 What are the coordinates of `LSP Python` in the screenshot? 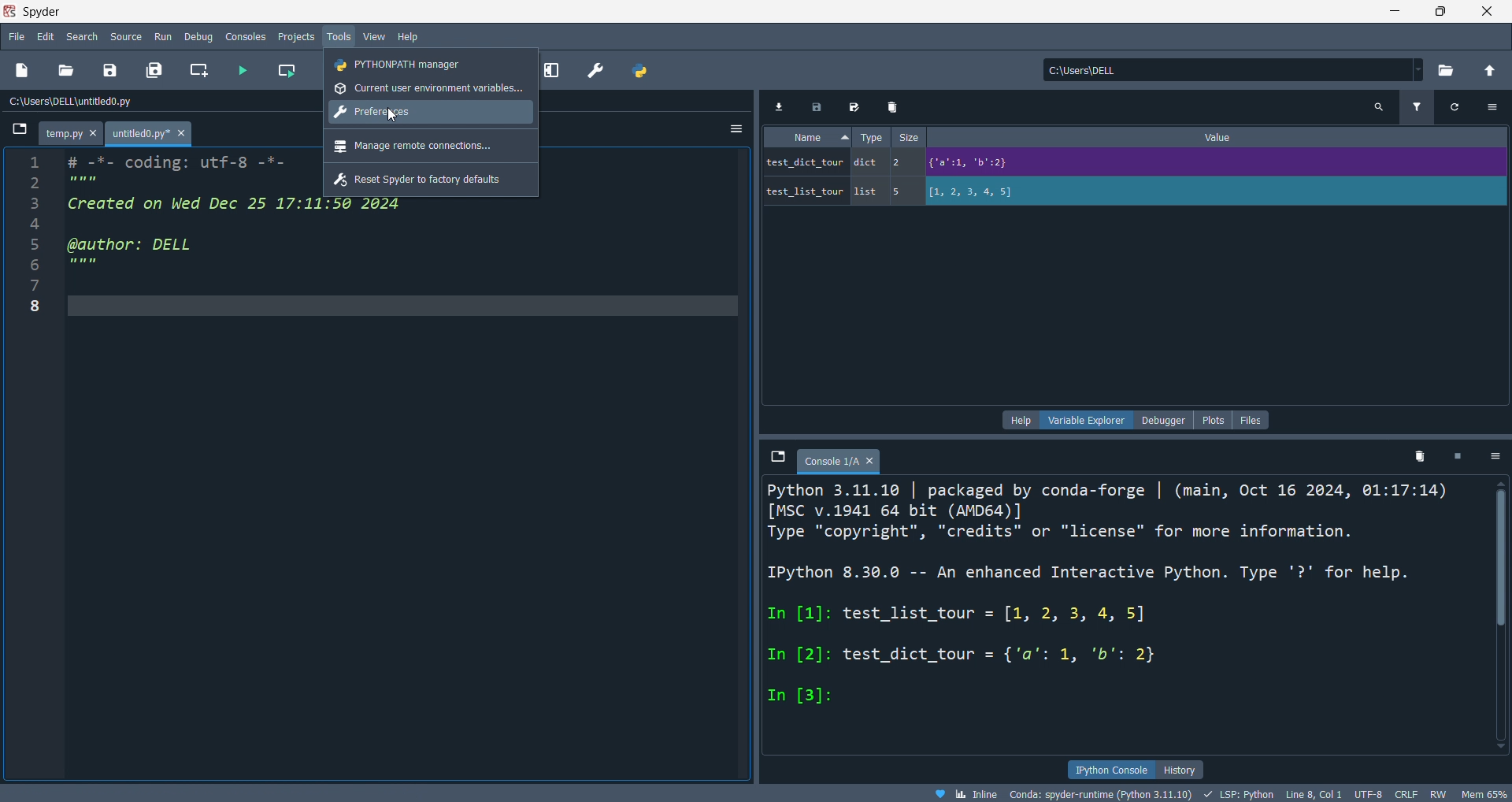 It's located at (1236, 793).